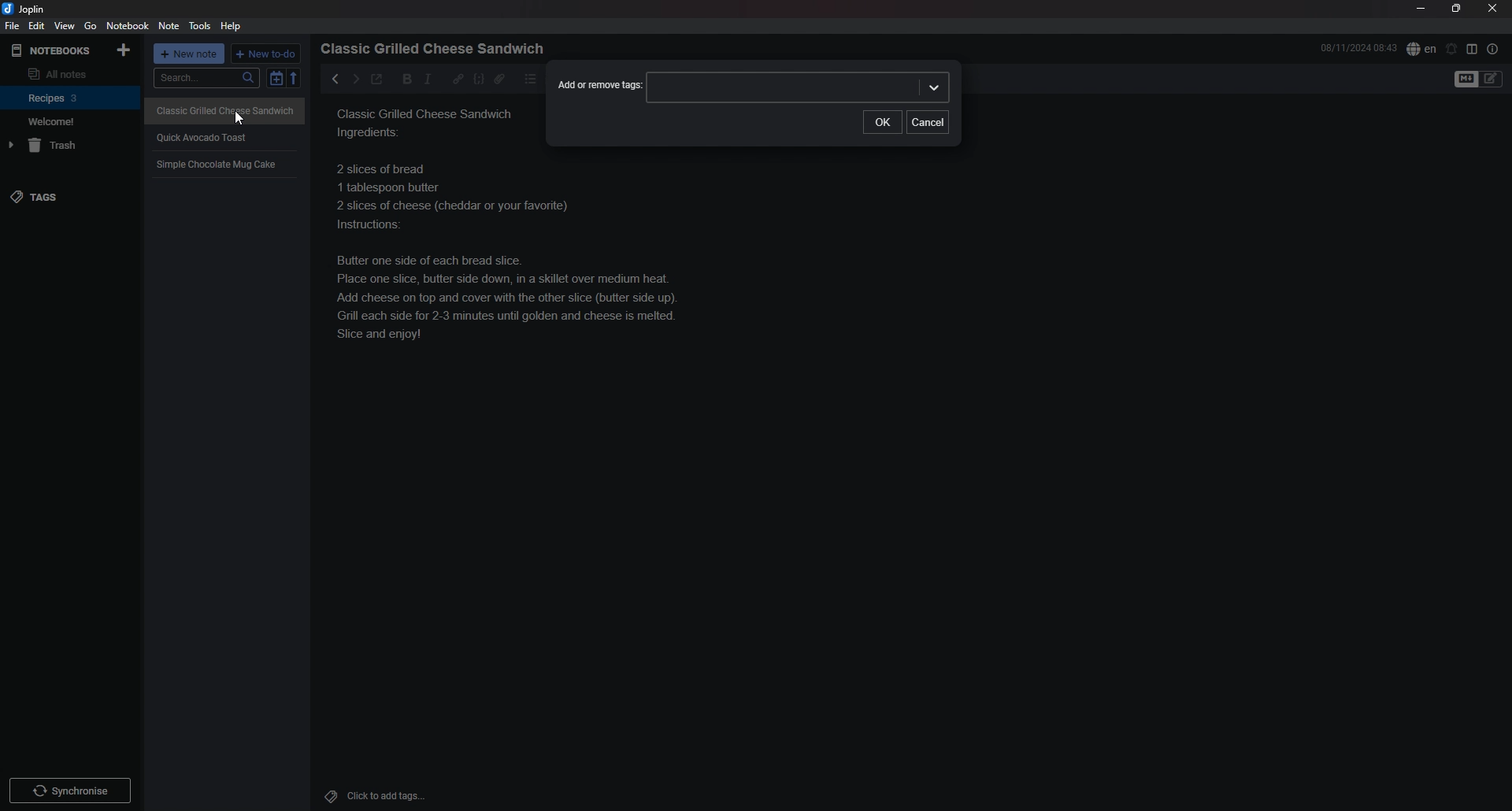 Image resolution: width=1512 pixels, height=811 pixels. Describe the element at coordinates (70, 787) in the screenshot. I see `` at that location.